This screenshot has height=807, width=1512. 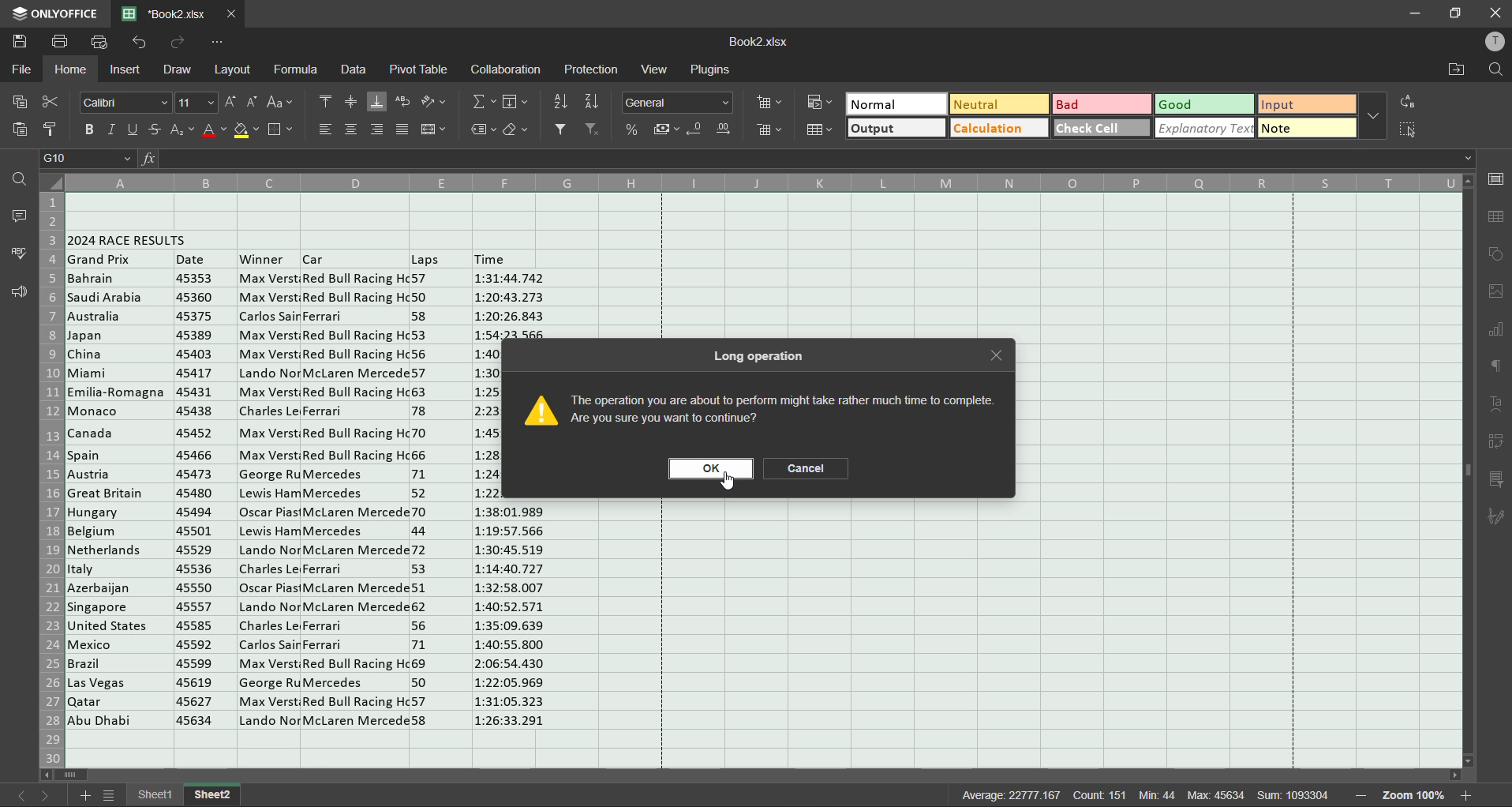 I want to click on clear, so click(x=518, y=132).